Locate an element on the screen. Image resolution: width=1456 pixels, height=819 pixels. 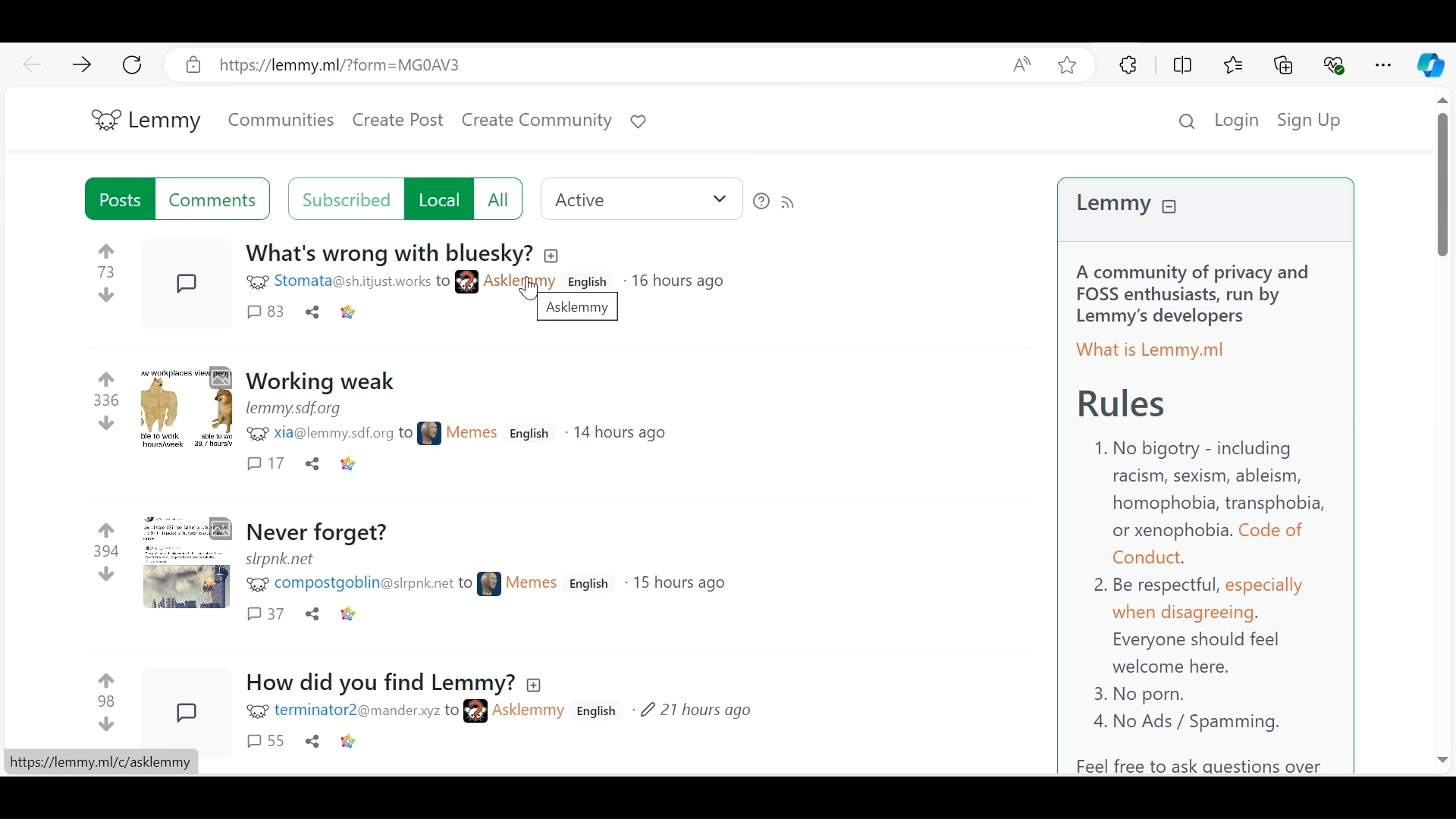
link is located at coordinates (349, 742).